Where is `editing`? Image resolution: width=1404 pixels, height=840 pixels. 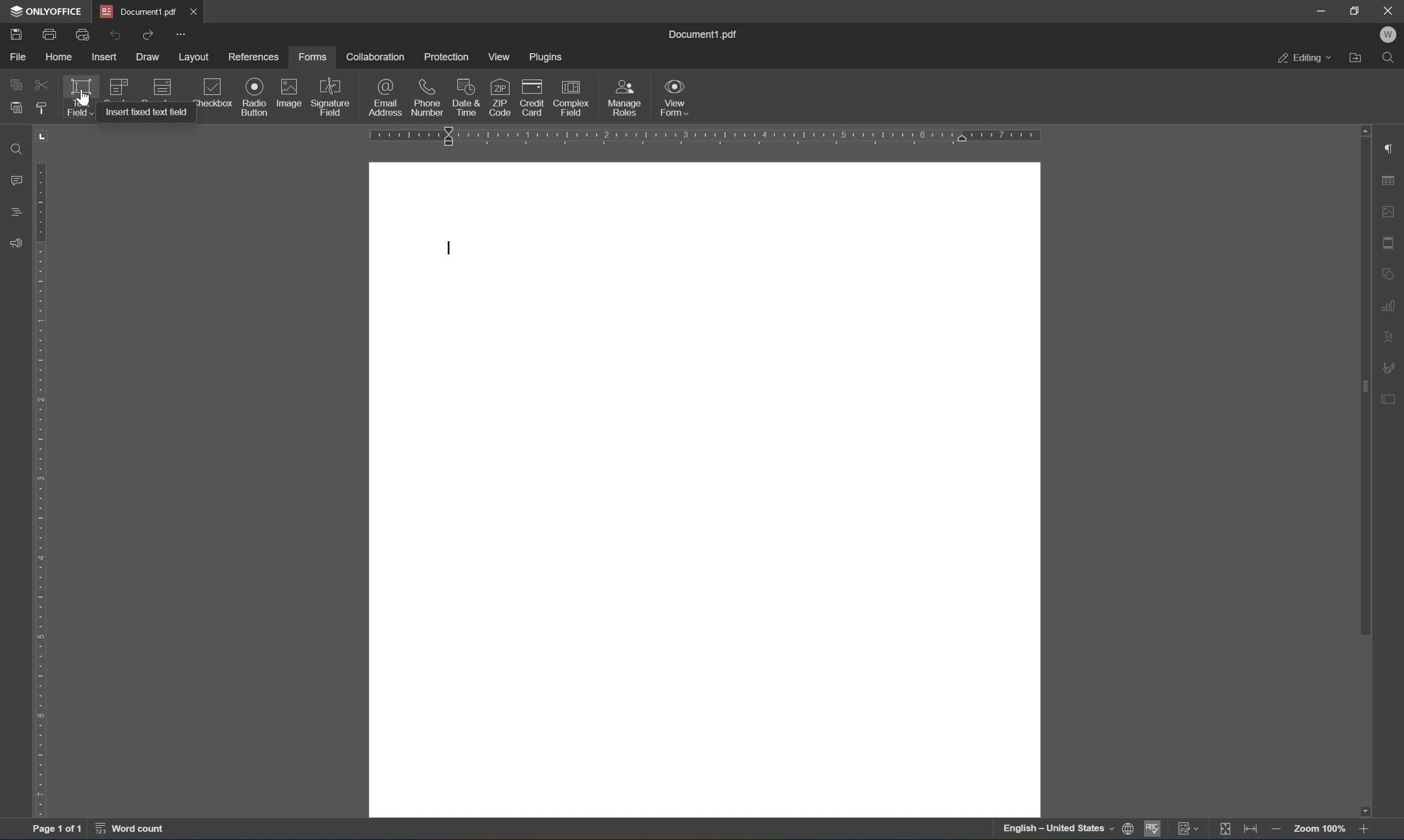
editing is located at coordinates (1302, 59).